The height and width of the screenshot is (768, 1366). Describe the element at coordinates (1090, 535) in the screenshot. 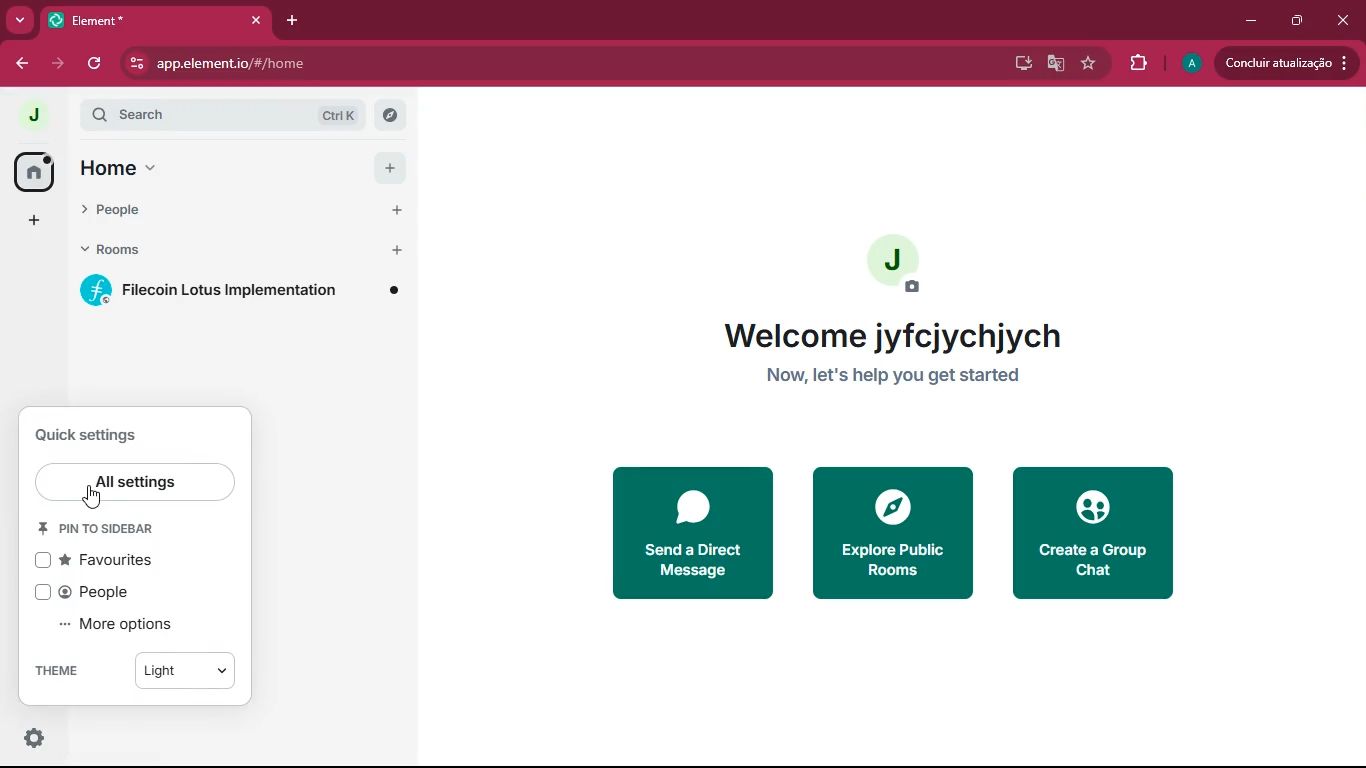

I see `create a group chat` at that location.